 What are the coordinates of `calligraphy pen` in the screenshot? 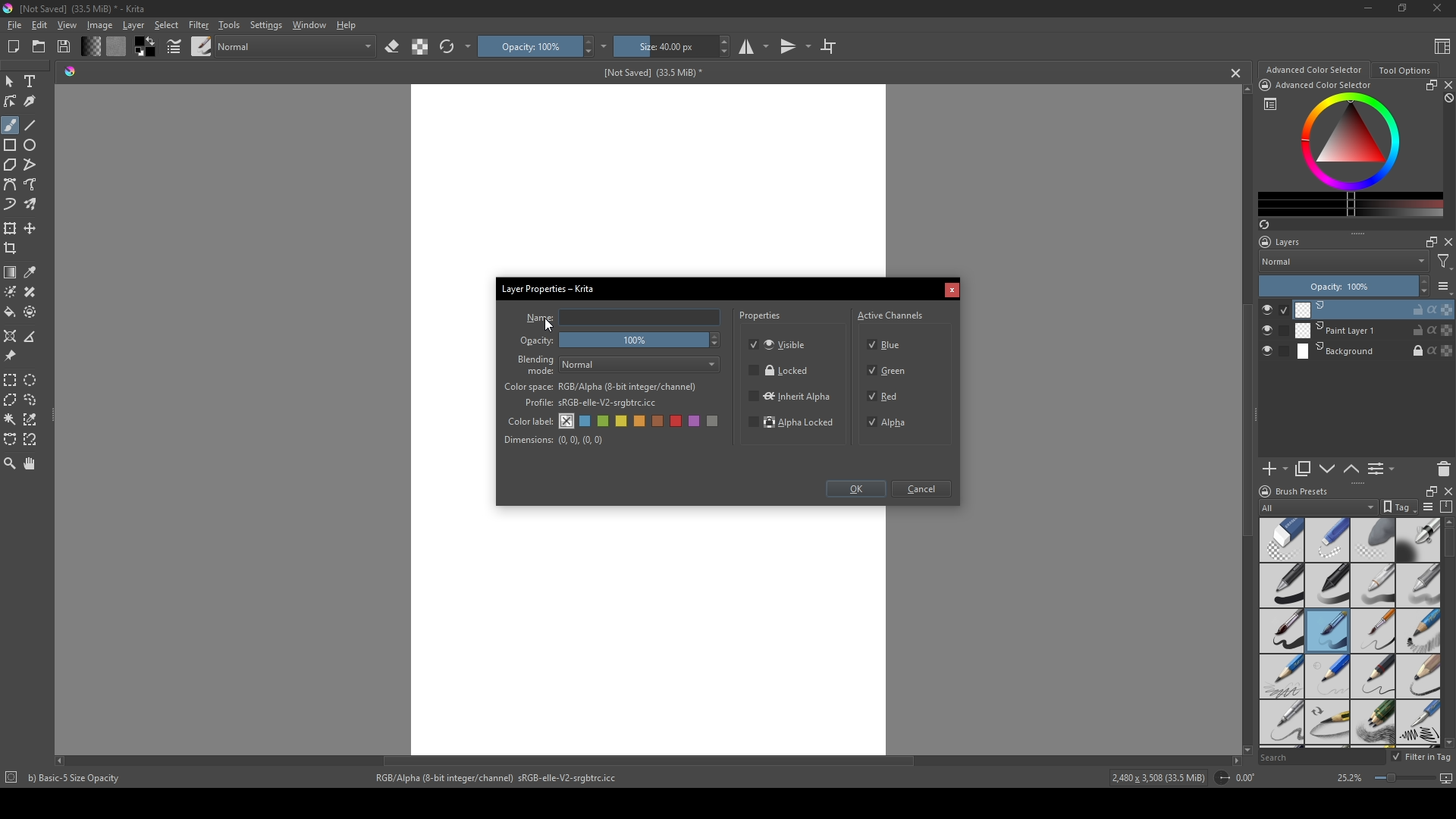 It's located at (1418, 724).